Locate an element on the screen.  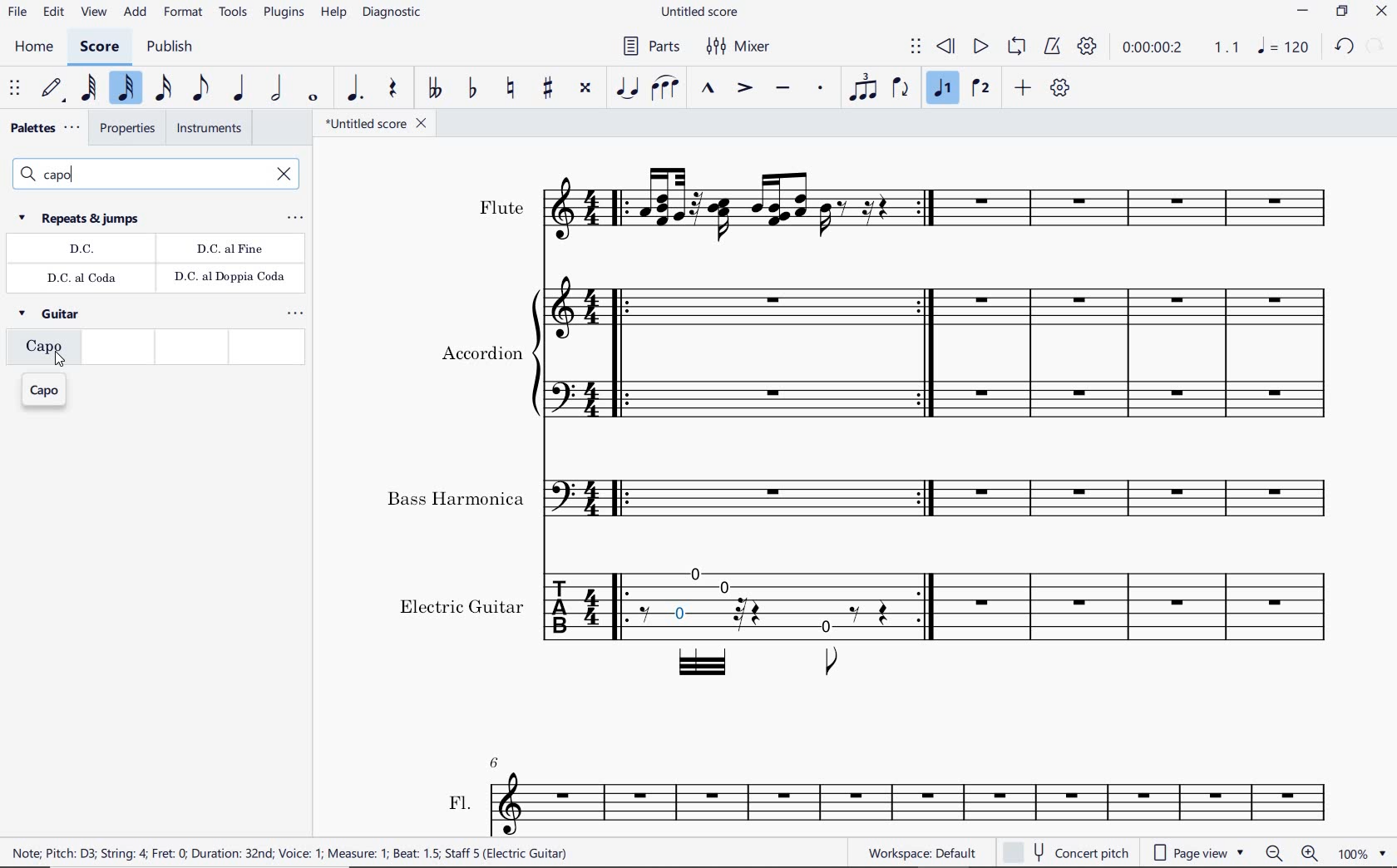
Playback speed is located at coordinates (1228, 49).